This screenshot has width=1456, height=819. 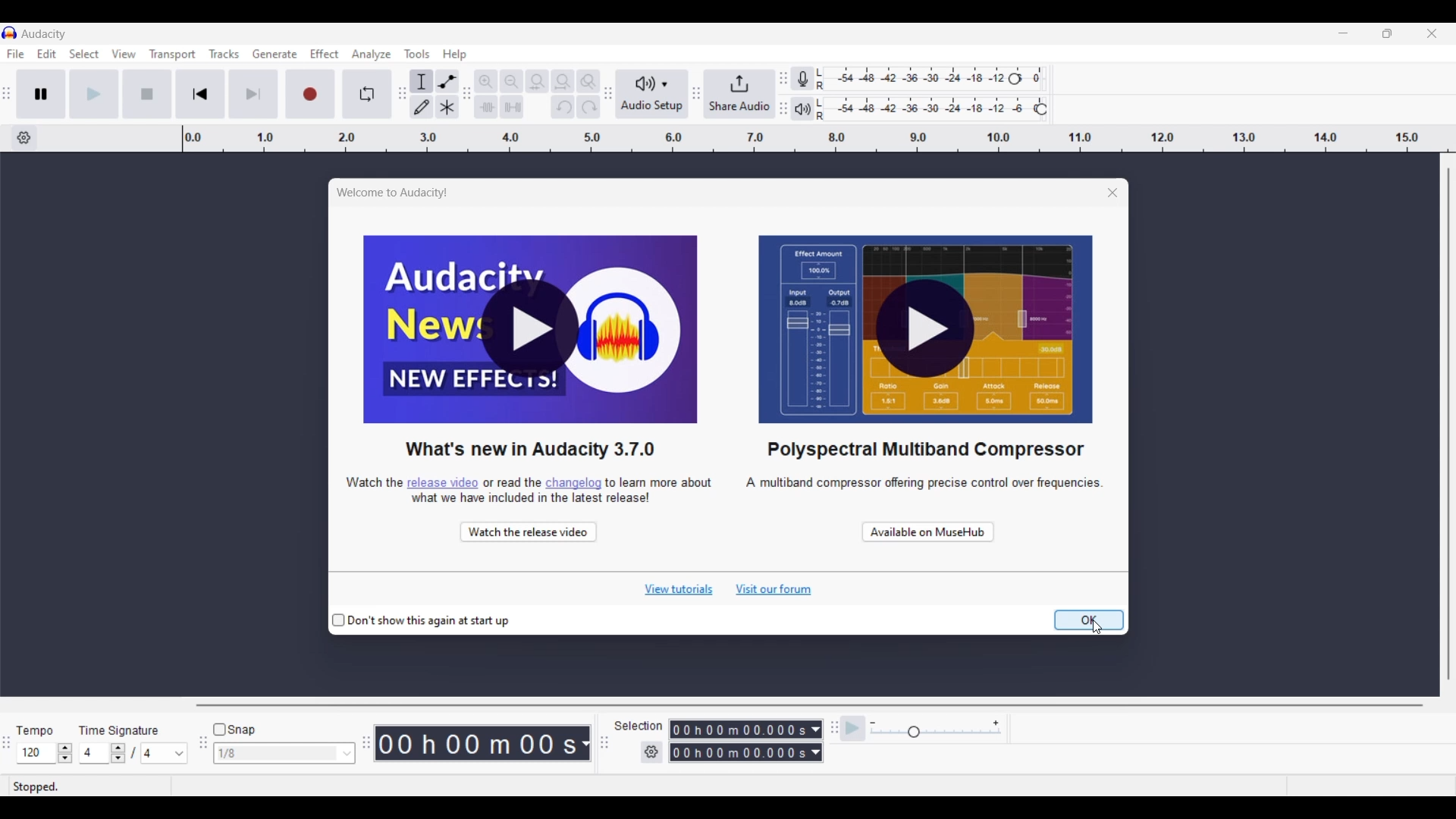 What do you see at coordinates (822, 96) in the screenshot?
I see `L R L R` at bounding box center [822, 96].